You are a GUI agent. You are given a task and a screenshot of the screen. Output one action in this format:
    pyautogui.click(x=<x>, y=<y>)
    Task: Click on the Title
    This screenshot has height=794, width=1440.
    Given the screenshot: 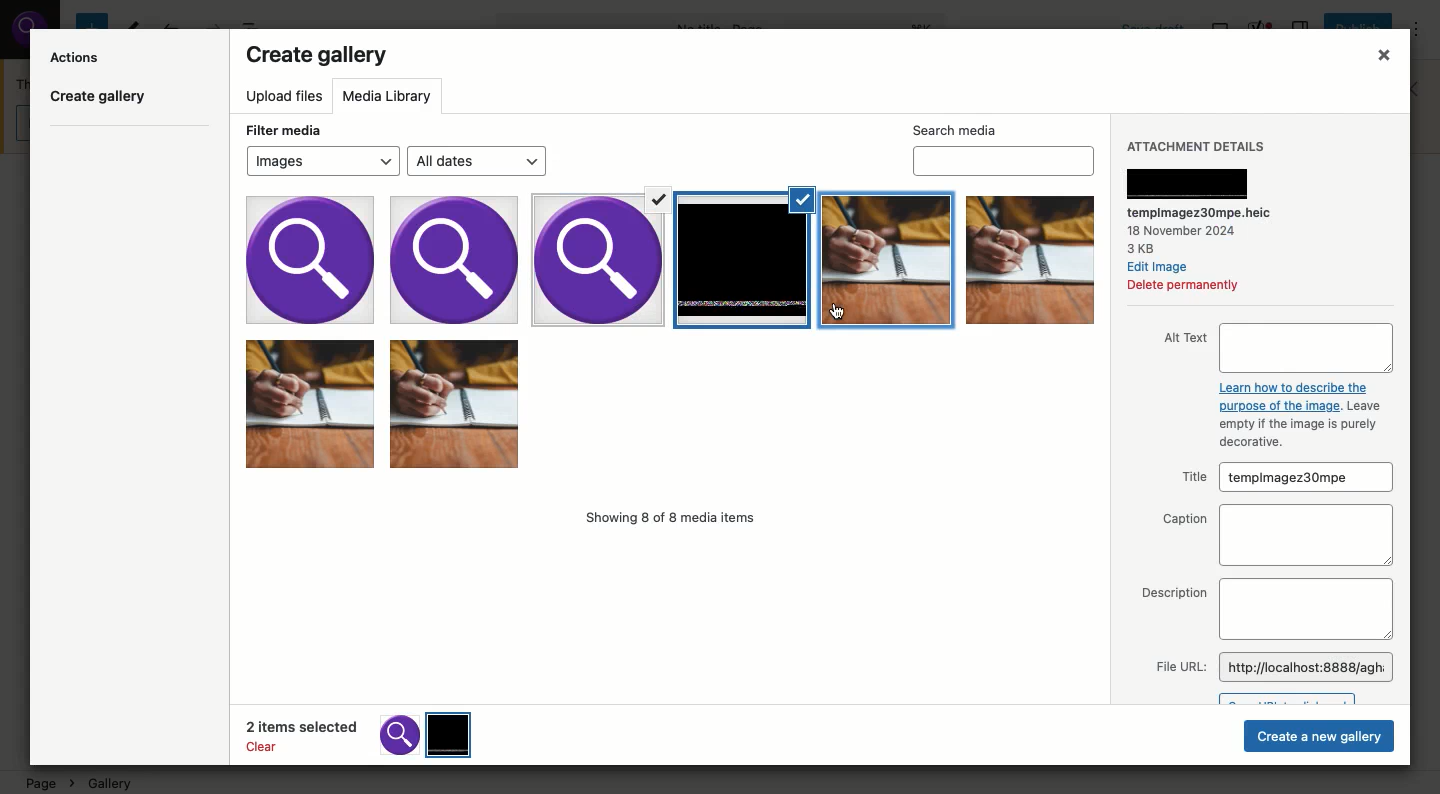 What is the action you would take?
    pyautogui.click(x=1190, y=479)
    